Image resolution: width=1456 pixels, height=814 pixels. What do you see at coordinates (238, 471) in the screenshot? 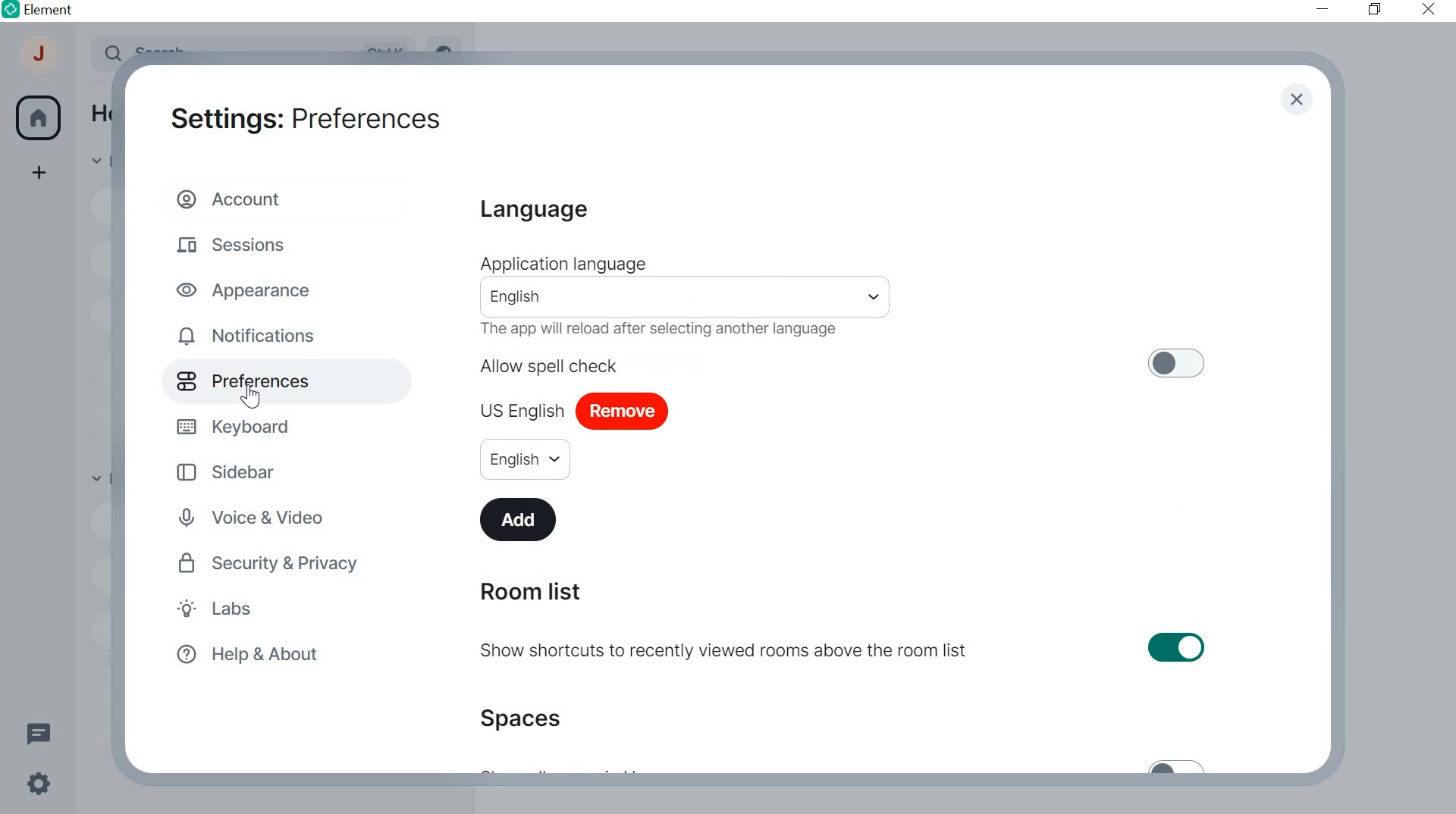
I see `SIDEBAR` at bounding box center [238, 471].